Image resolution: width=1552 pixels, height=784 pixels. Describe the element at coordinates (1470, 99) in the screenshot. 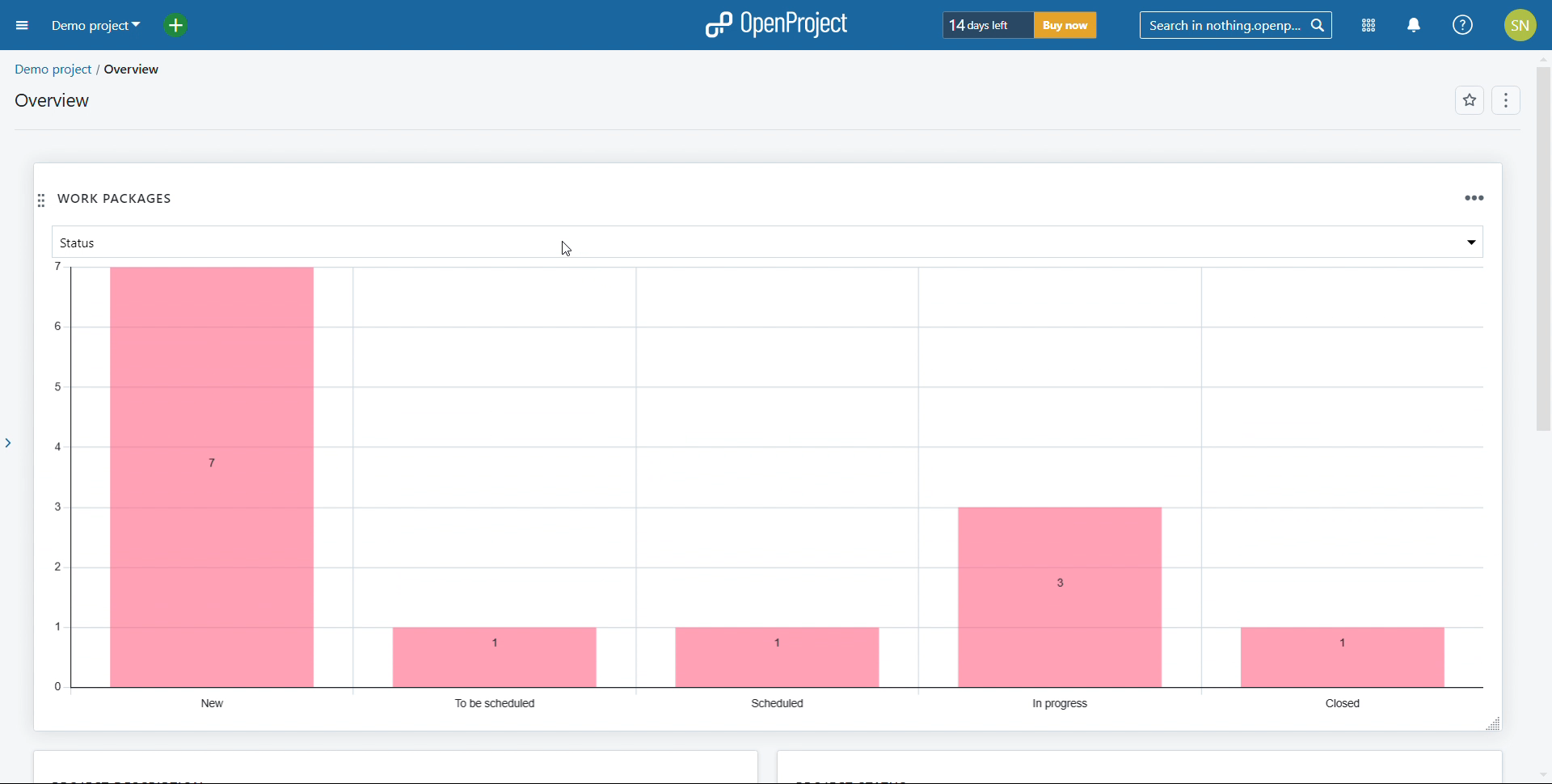

I see `add to favorites` at that location.